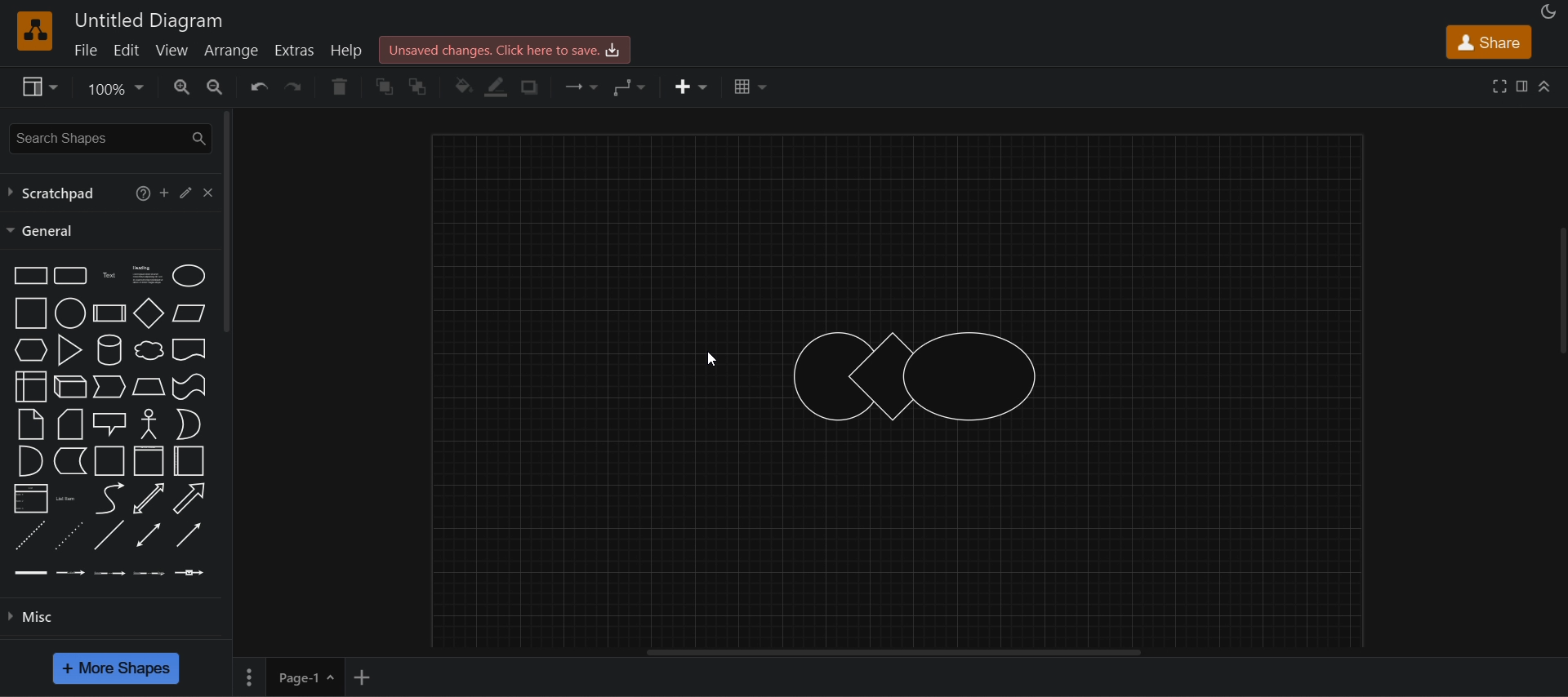 The image size is (1568, 697). Describe the element at coordinates (109, 313) in the screenshot. I see `process` at that location.